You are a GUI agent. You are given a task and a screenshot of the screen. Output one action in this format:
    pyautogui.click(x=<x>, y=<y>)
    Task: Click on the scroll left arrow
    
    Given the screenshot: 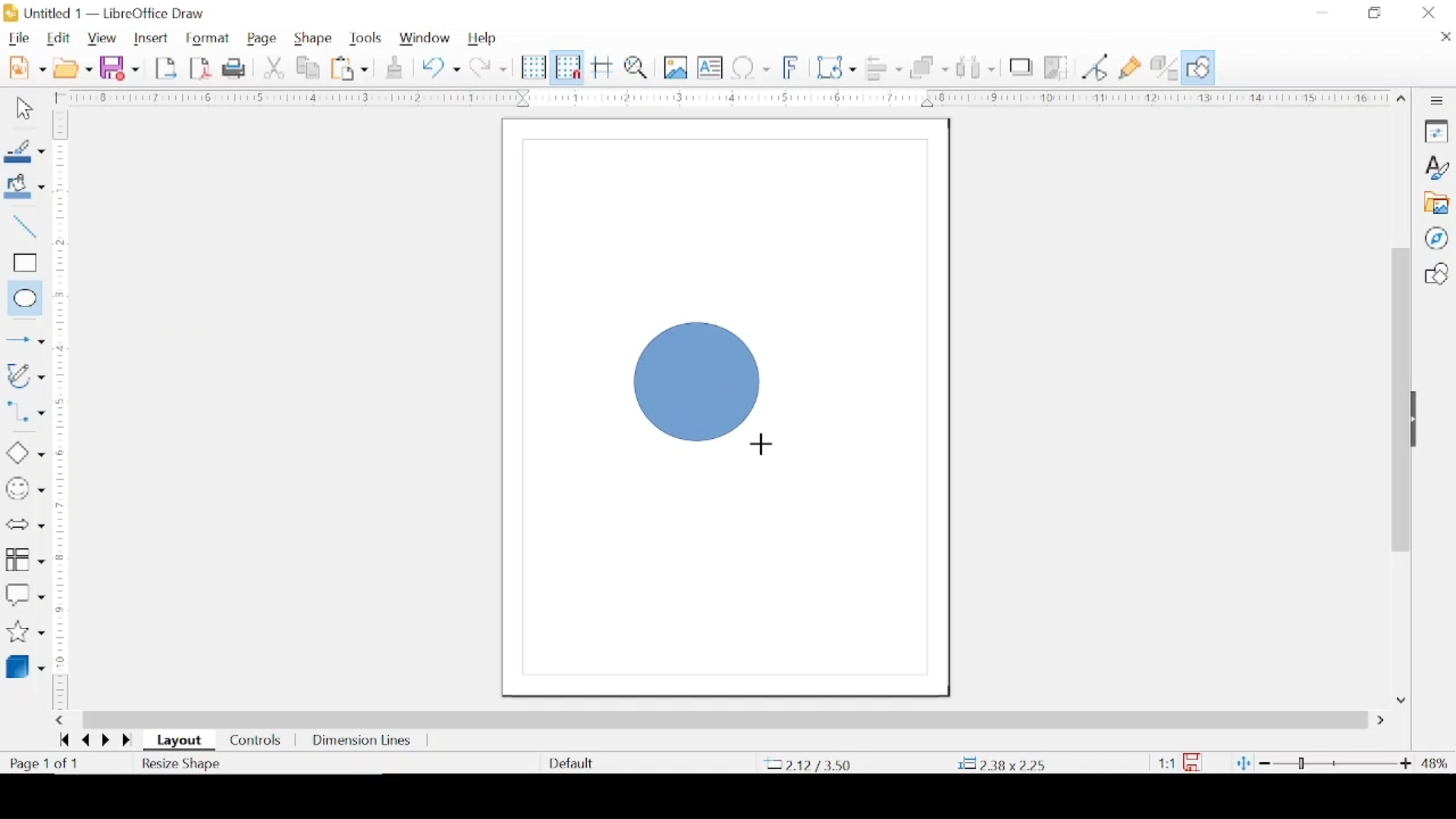 What is the action you would take?
    pyautogui.click(x=63, y=721)
    